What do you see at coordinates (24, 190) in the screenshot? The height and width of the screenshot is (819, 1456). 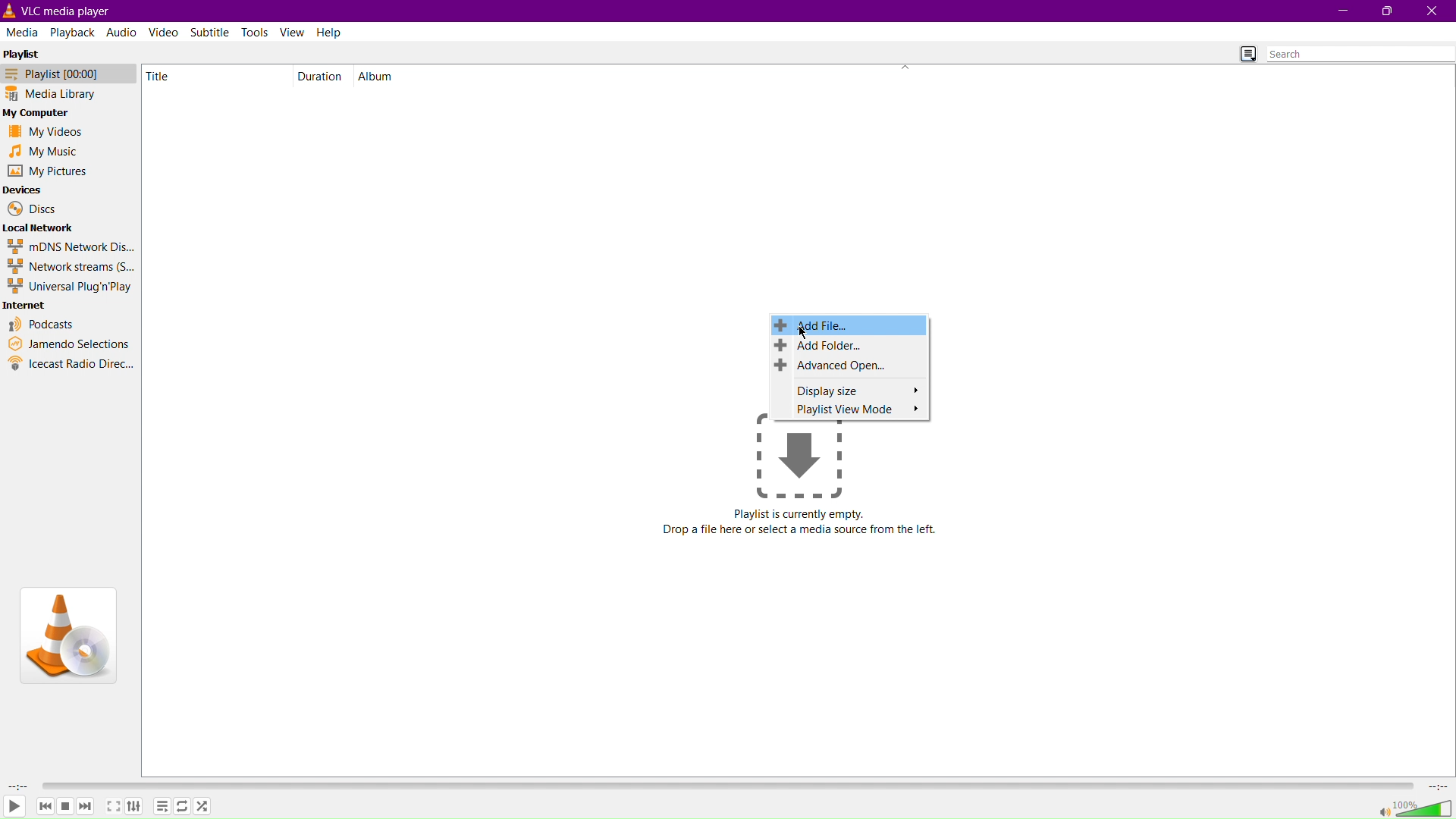 I see `Devices` at bounding box center [24, 190].